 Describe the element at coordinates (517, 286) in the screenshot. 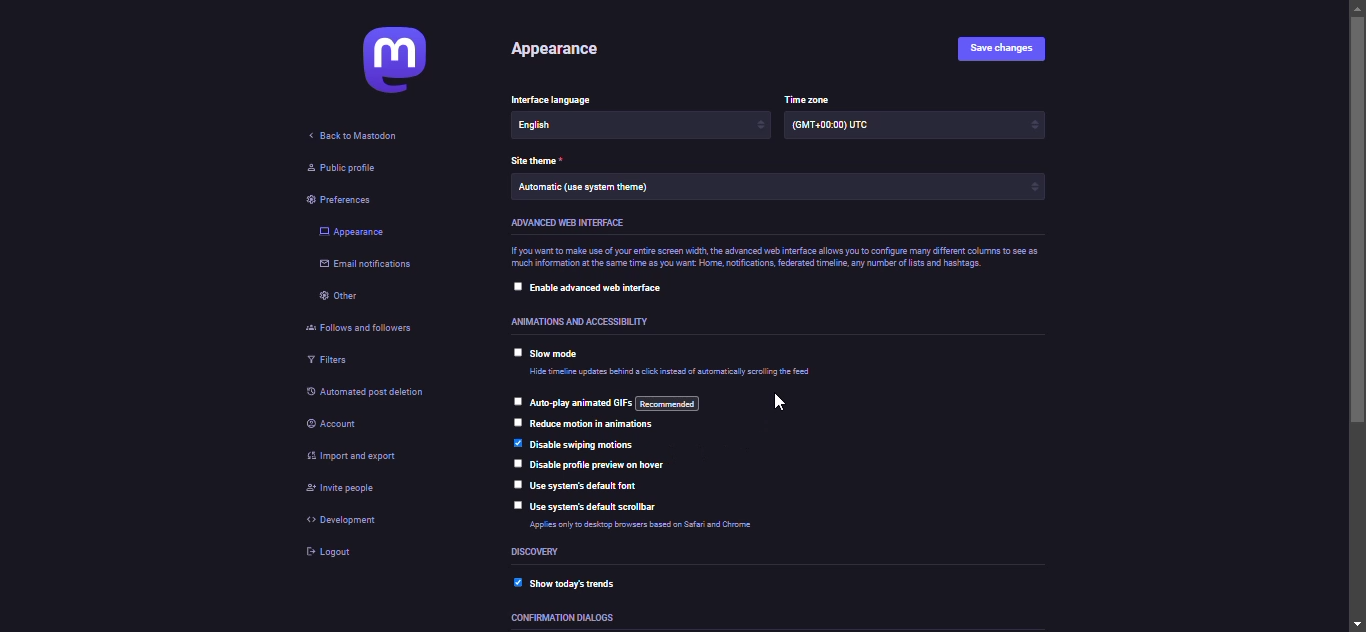

I see `click to select` at that location.